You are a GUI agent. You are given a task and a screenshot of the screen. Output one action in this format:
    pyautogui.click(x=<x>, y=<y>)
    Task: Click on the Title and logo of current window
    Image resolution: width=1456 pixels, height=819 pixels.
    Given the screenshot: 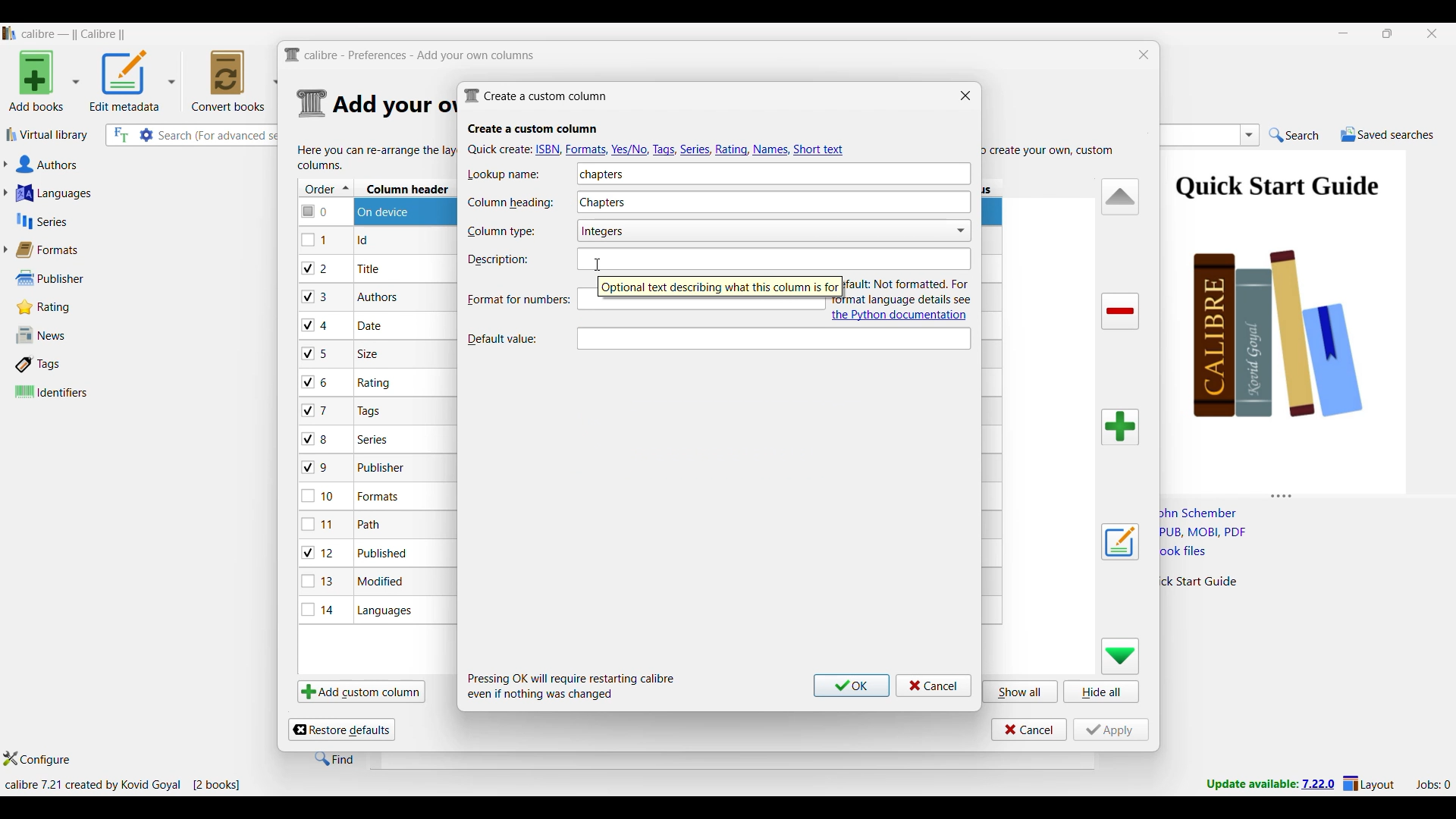 What is the action you would take?
    pyautogui.click(x=410, y=55)
    